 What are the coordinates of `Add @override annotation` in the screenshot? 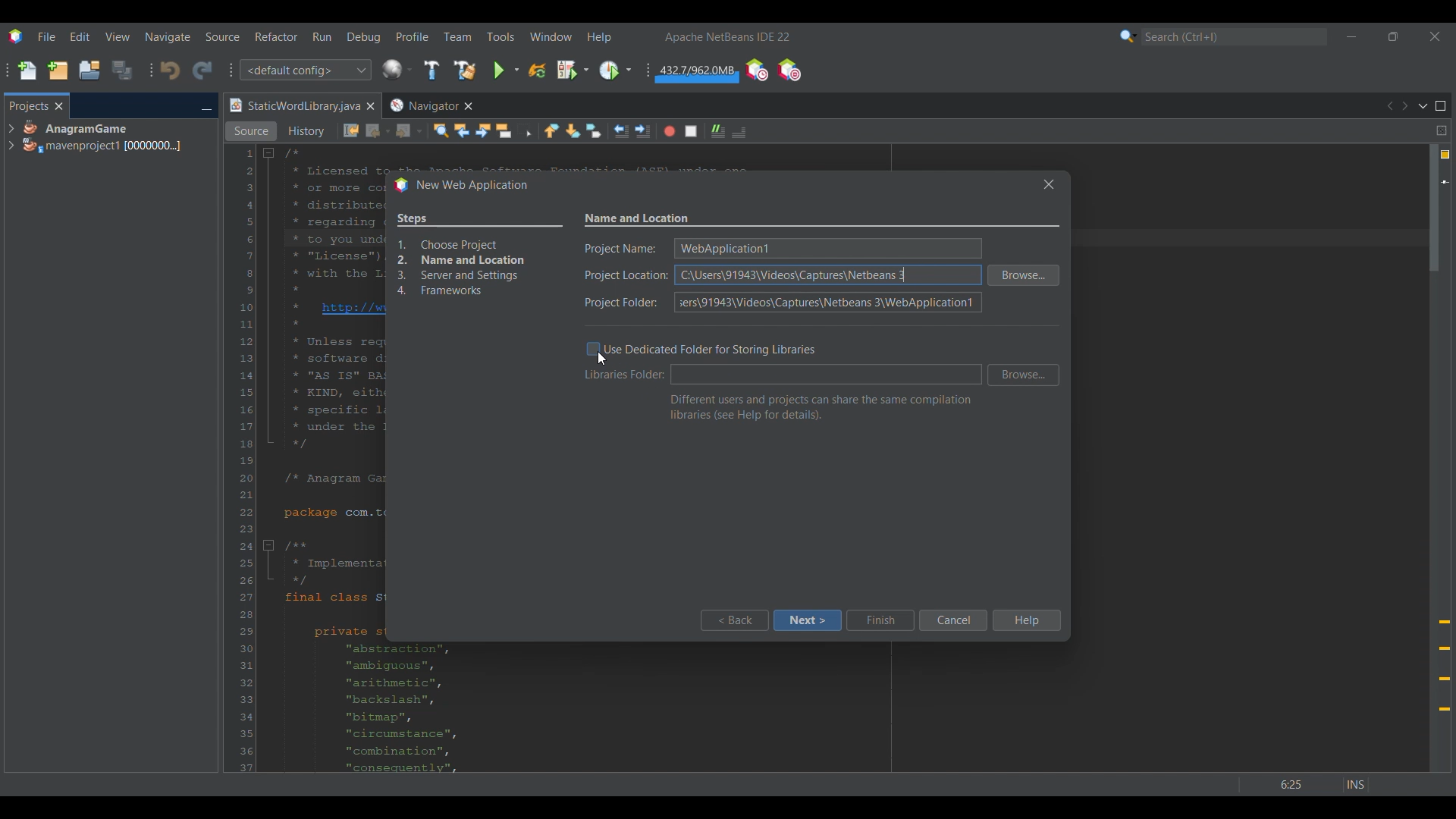 It's located at (1445, 666).